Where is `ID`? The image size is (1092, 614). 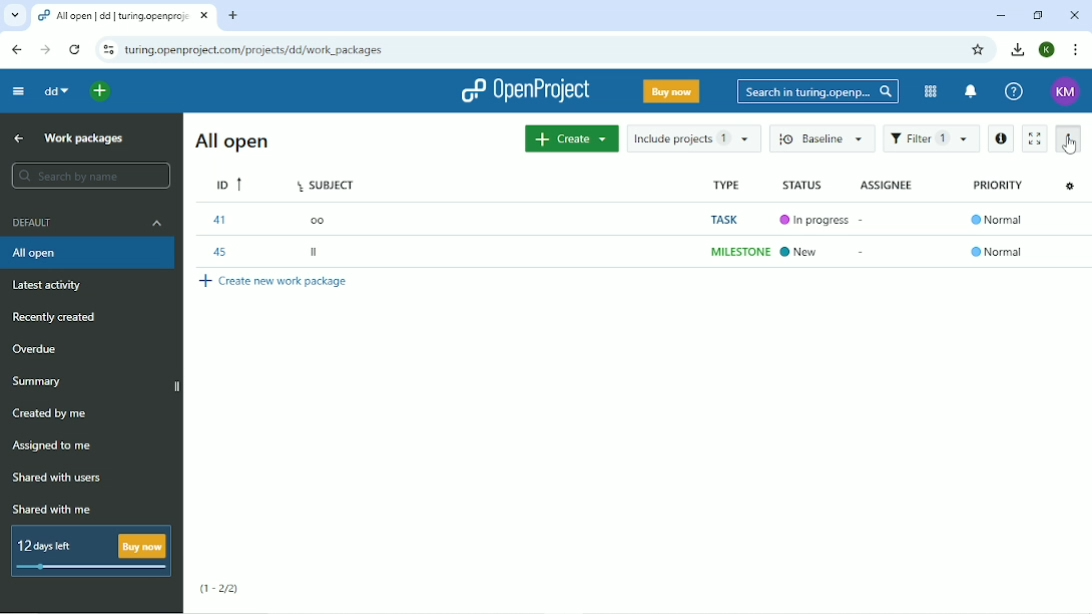 ID is located at coordinates (230, 185).